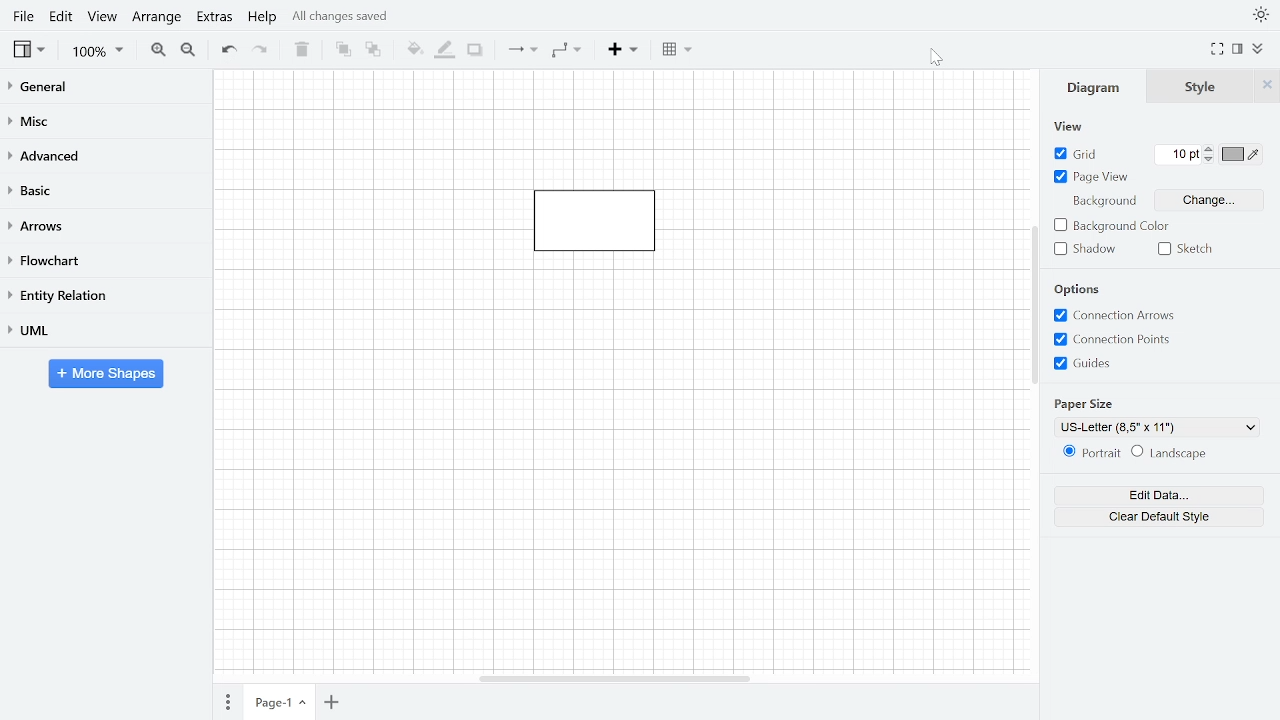  I want to click on Flowchart, so click(104, 261).